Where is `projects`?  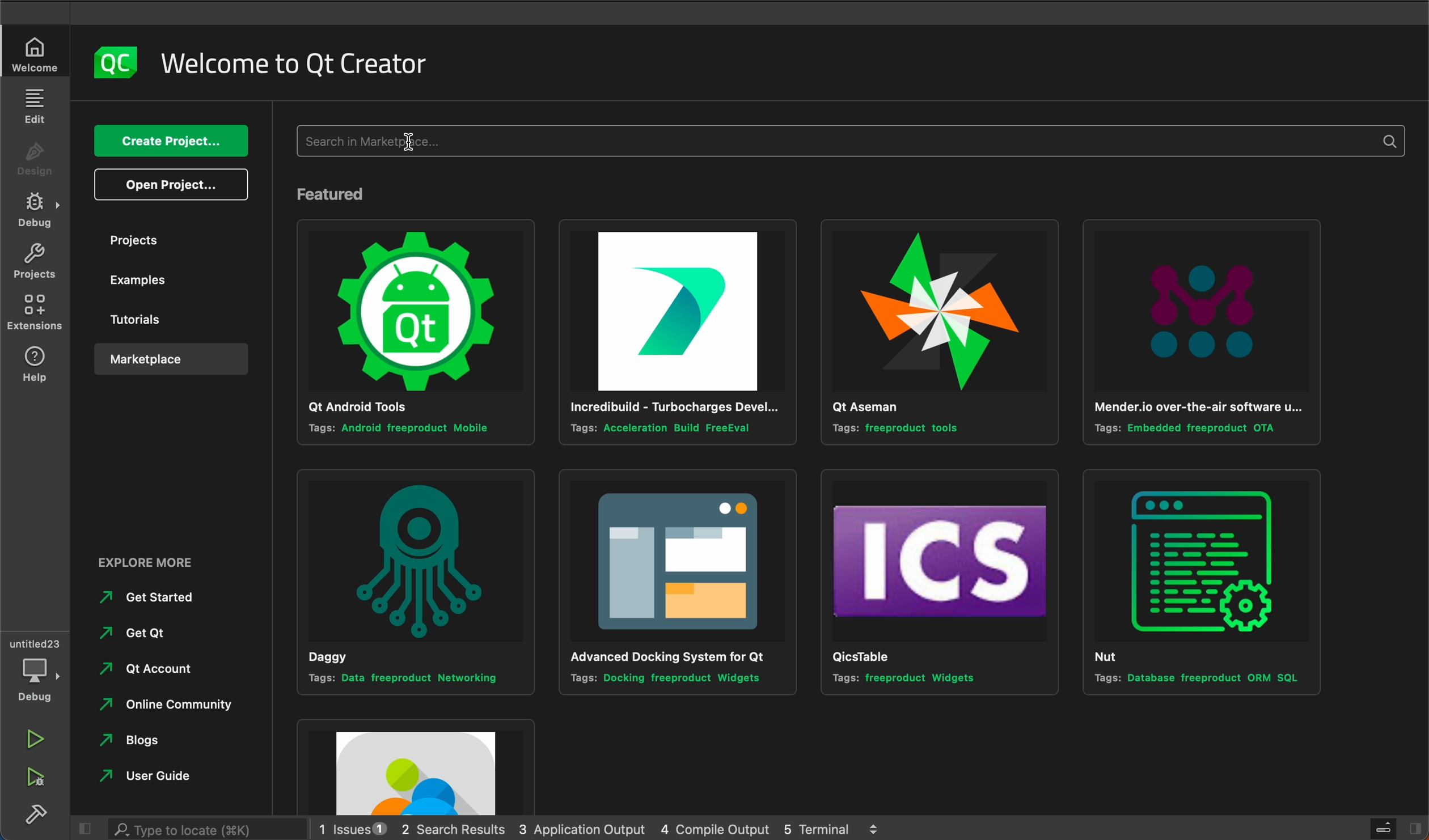 projects is located at coordinates (33, 264).